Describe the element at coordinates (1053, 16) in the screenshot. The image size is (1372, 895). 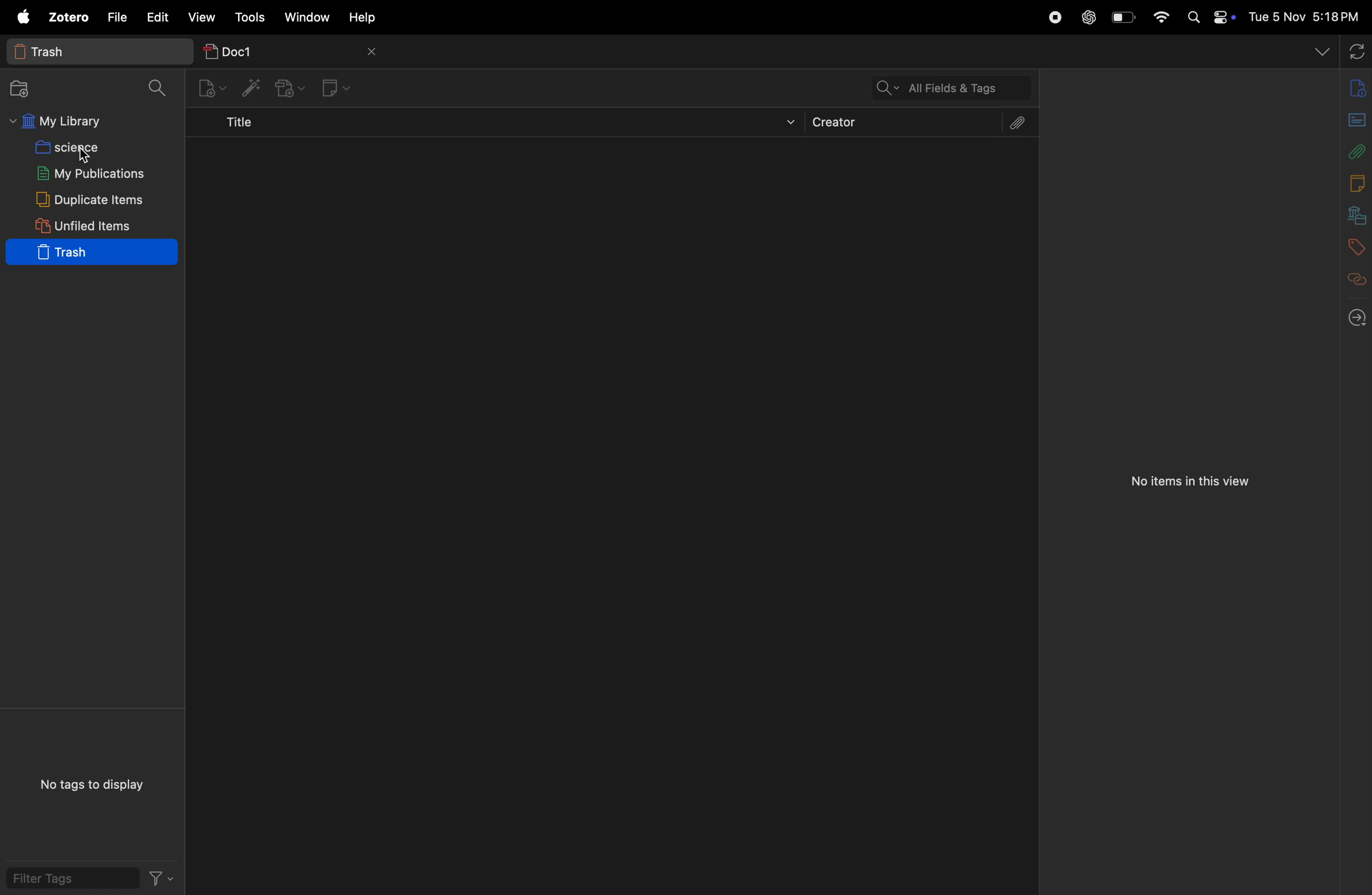
I see `record` at that location.